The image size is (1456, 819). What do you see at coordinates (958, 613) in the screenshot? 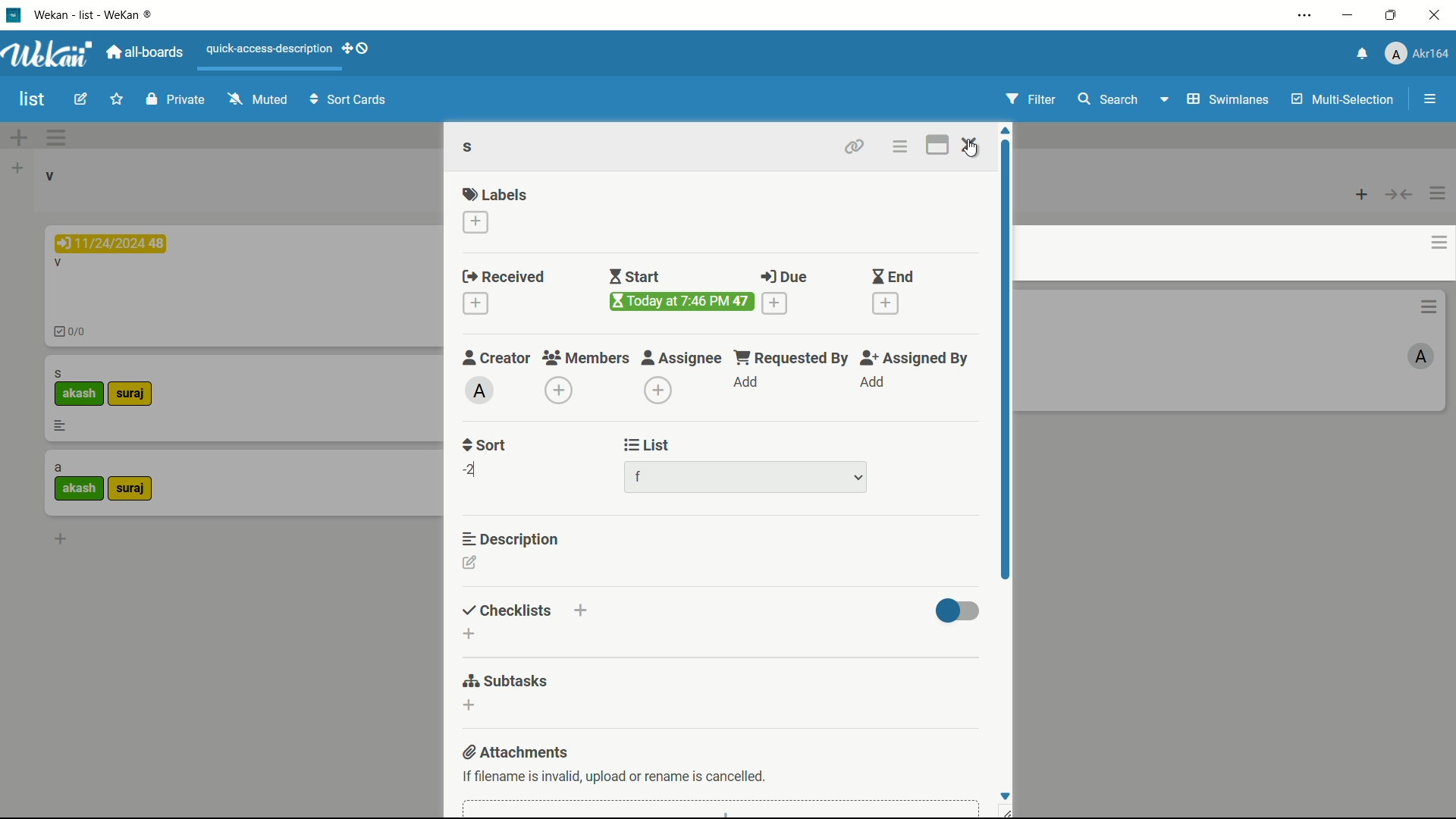
I see `toggle button` at bounding box center [958, 613].